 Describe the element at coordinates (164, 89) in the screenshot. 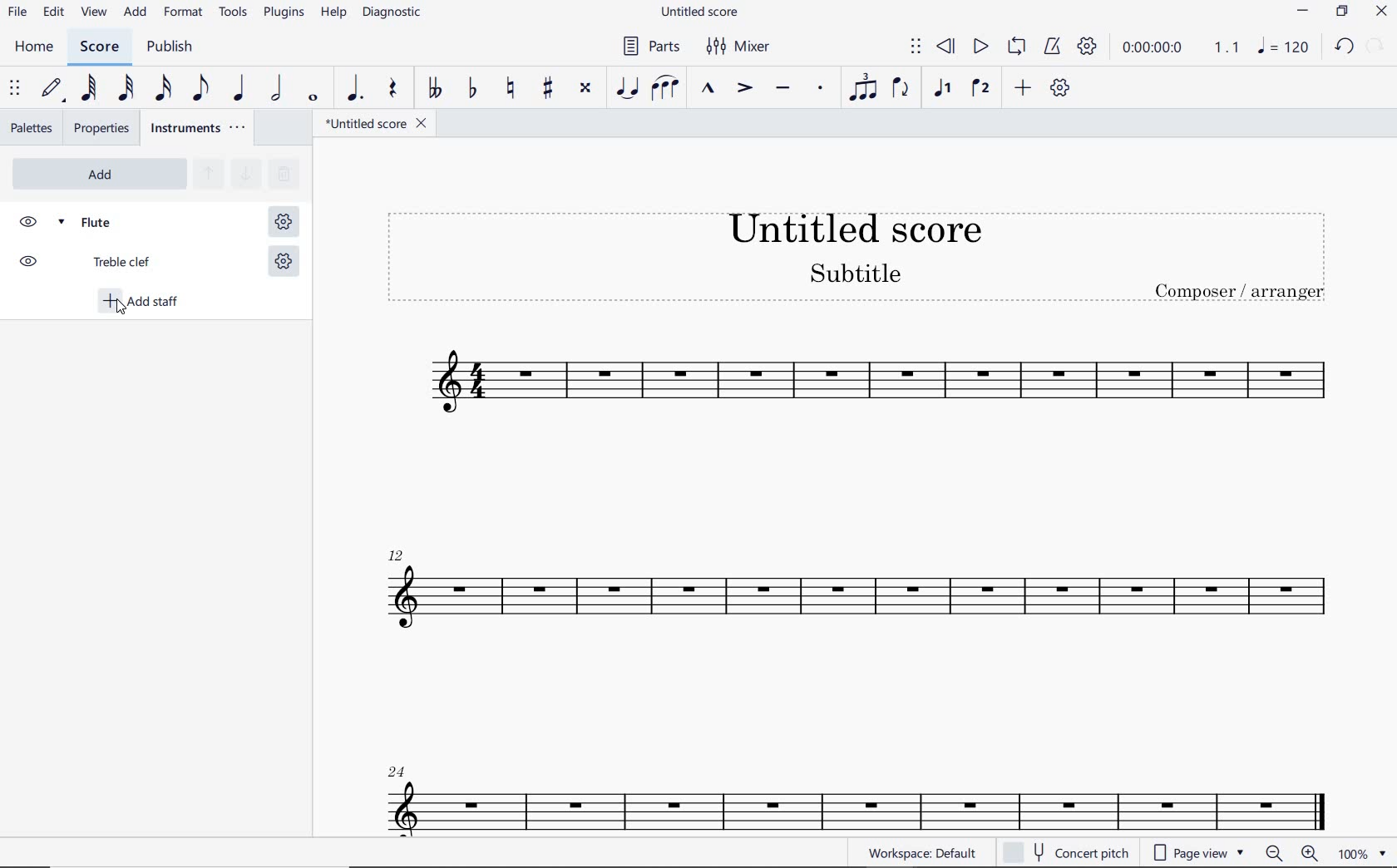

I see `16TH NOTE` at that location.